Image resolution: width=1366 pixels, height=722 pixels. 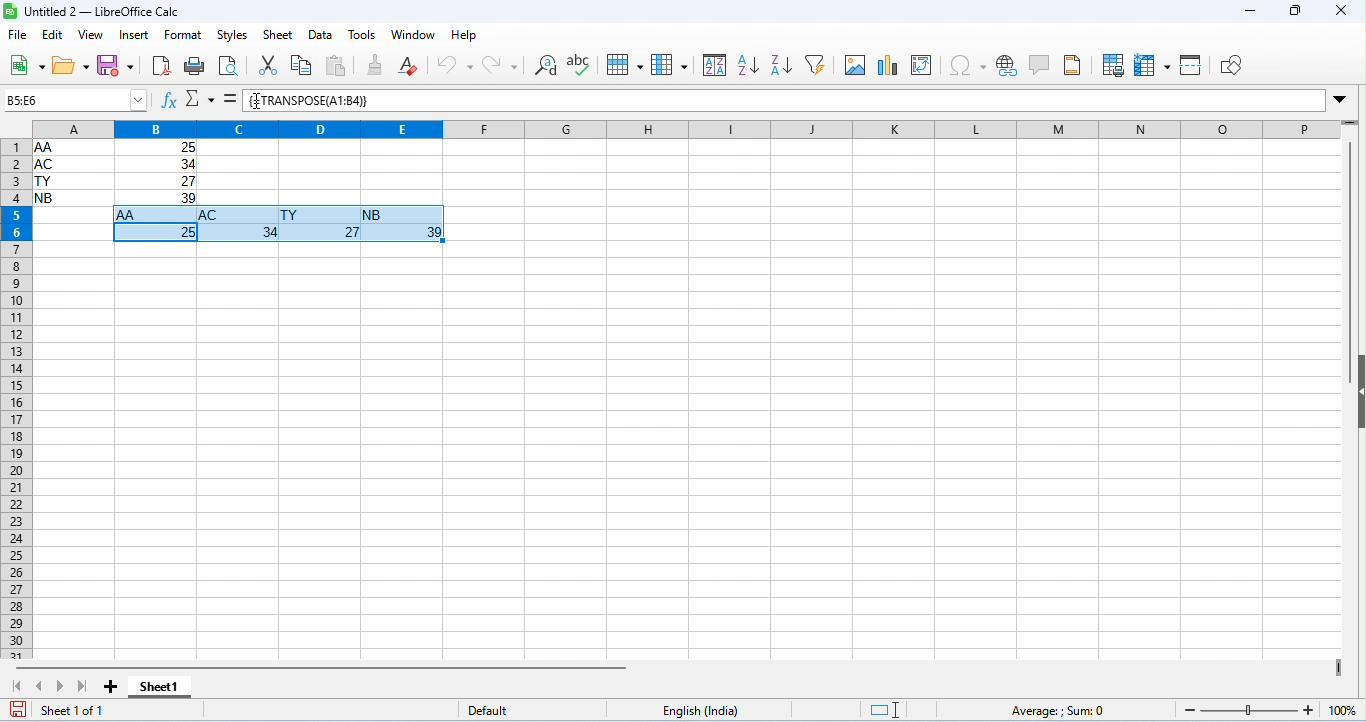 I want to click on insert hyperlink, so click(x=1007, y=63).